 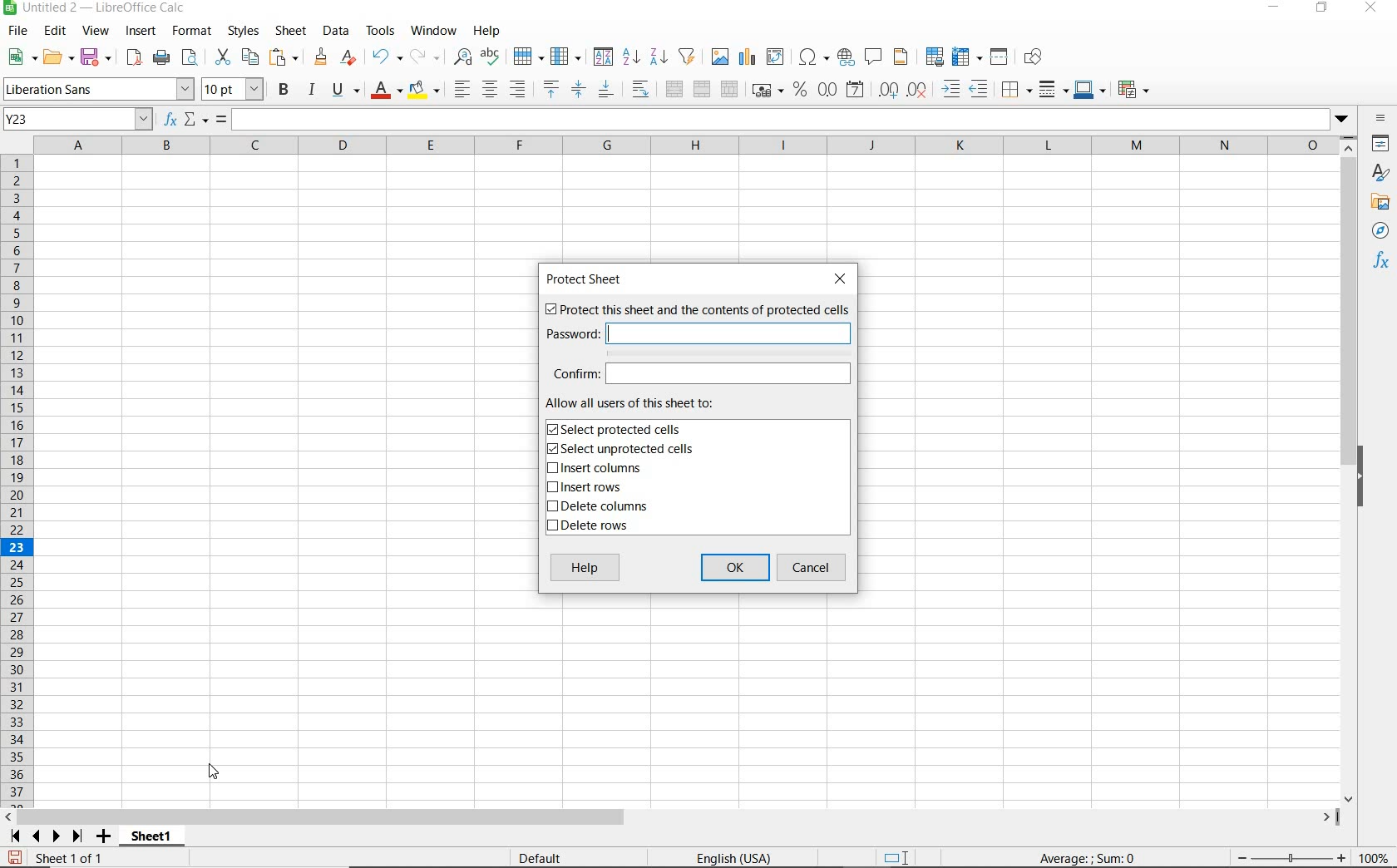 I want to click on SORT ASCENDING, so click(x=632, y=57).